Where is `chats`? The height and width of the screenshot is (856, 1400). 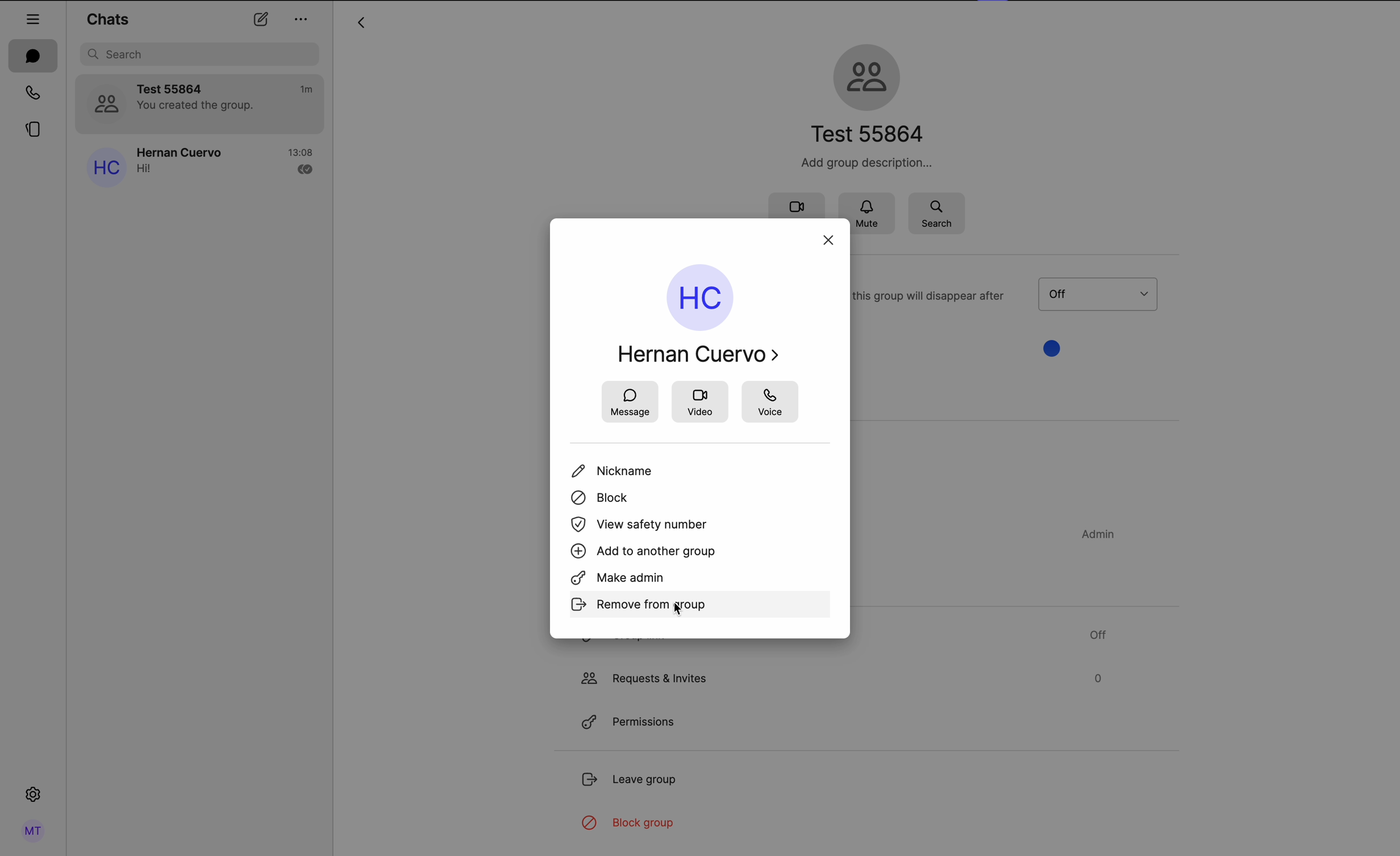
chats is located at coordinates (34, 56).